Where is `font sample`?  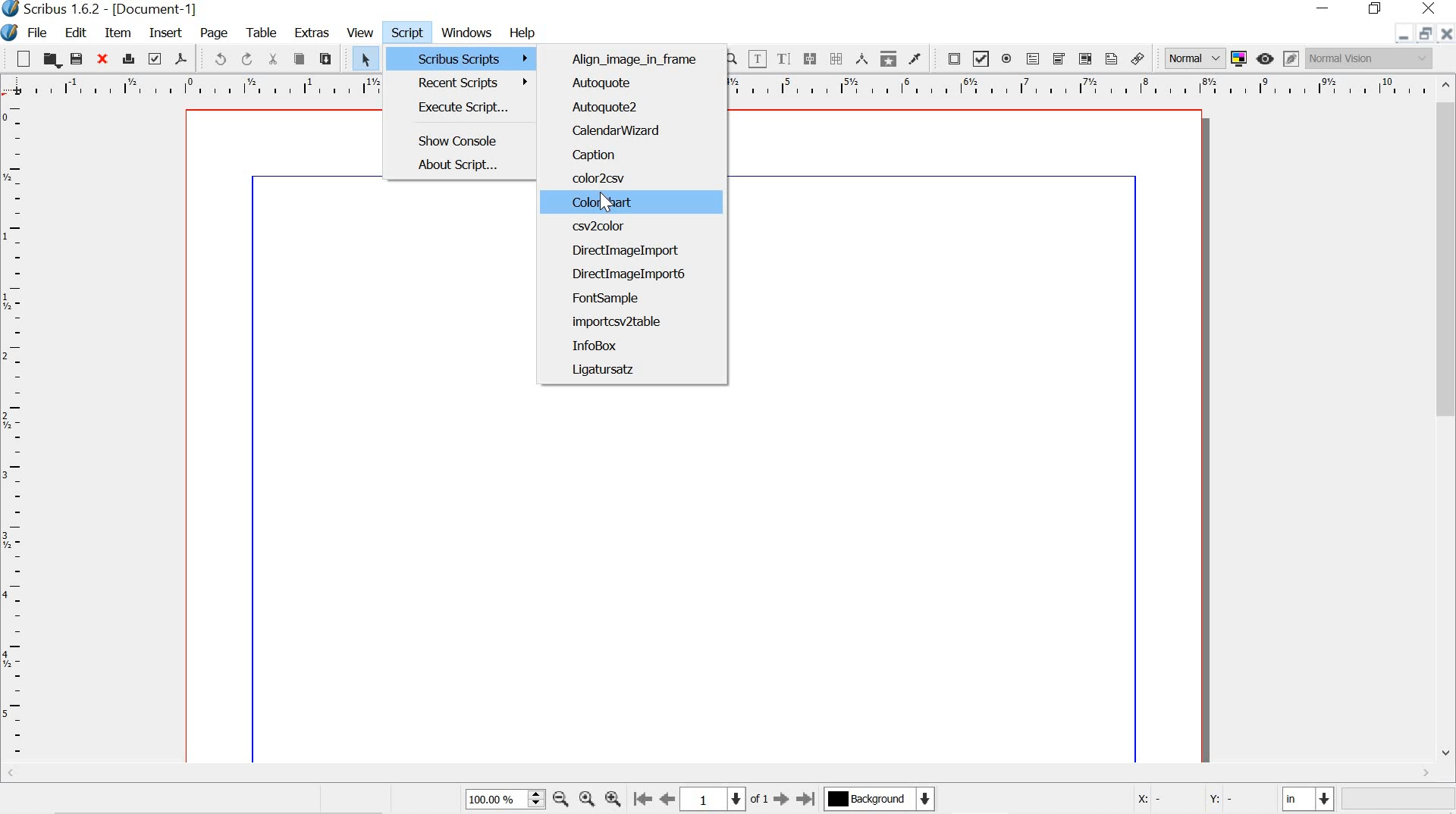
font sample is located at coordinates (607, 298).